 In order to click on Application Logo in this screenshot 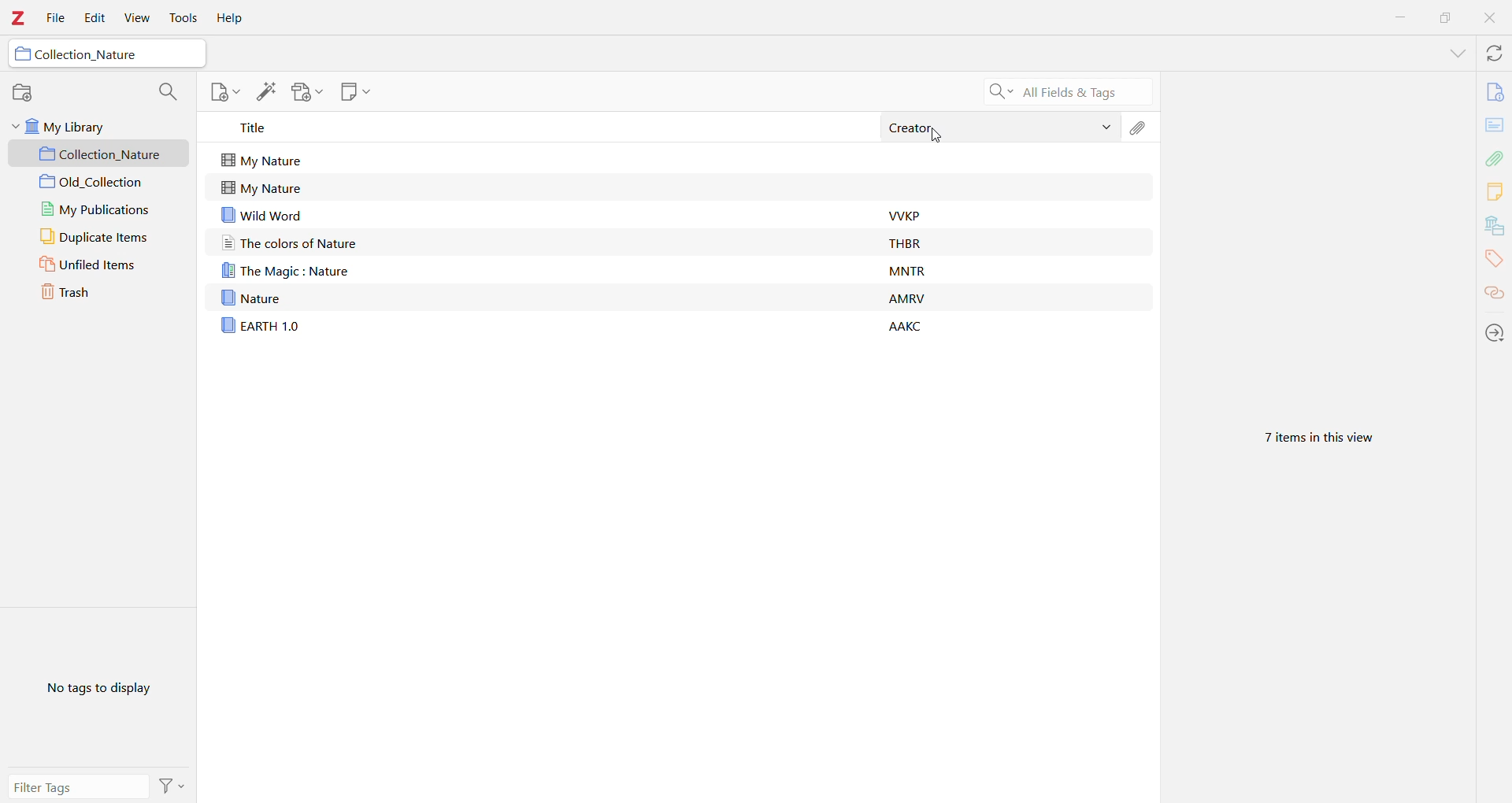, I will do `click(18, 19)`.